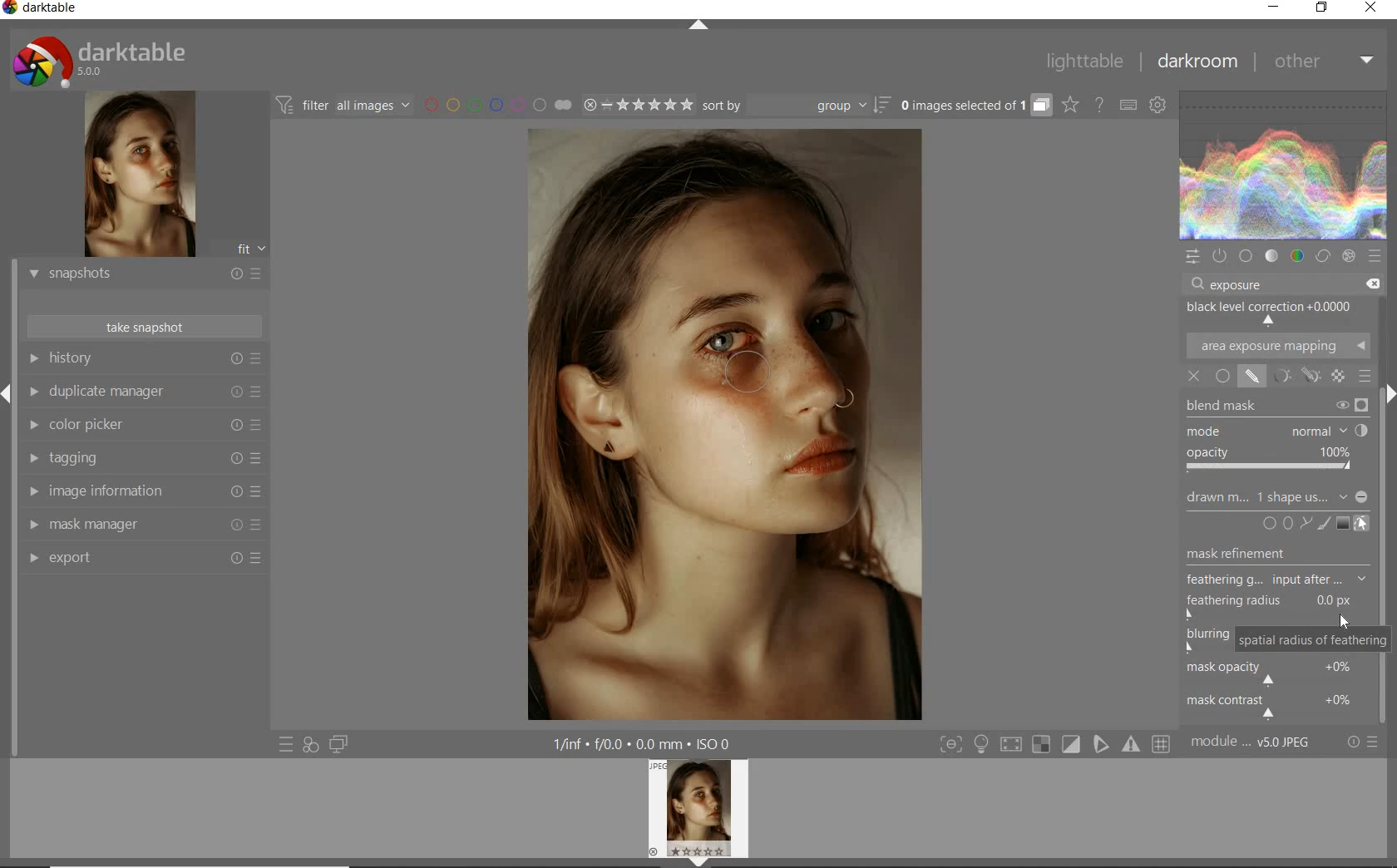 Image resolution: width=1397 pixels, height=868 pixels. Describe the element at coordinates (1345, 623) in the screenshot. I see `CURSOR POSITION` at that location.